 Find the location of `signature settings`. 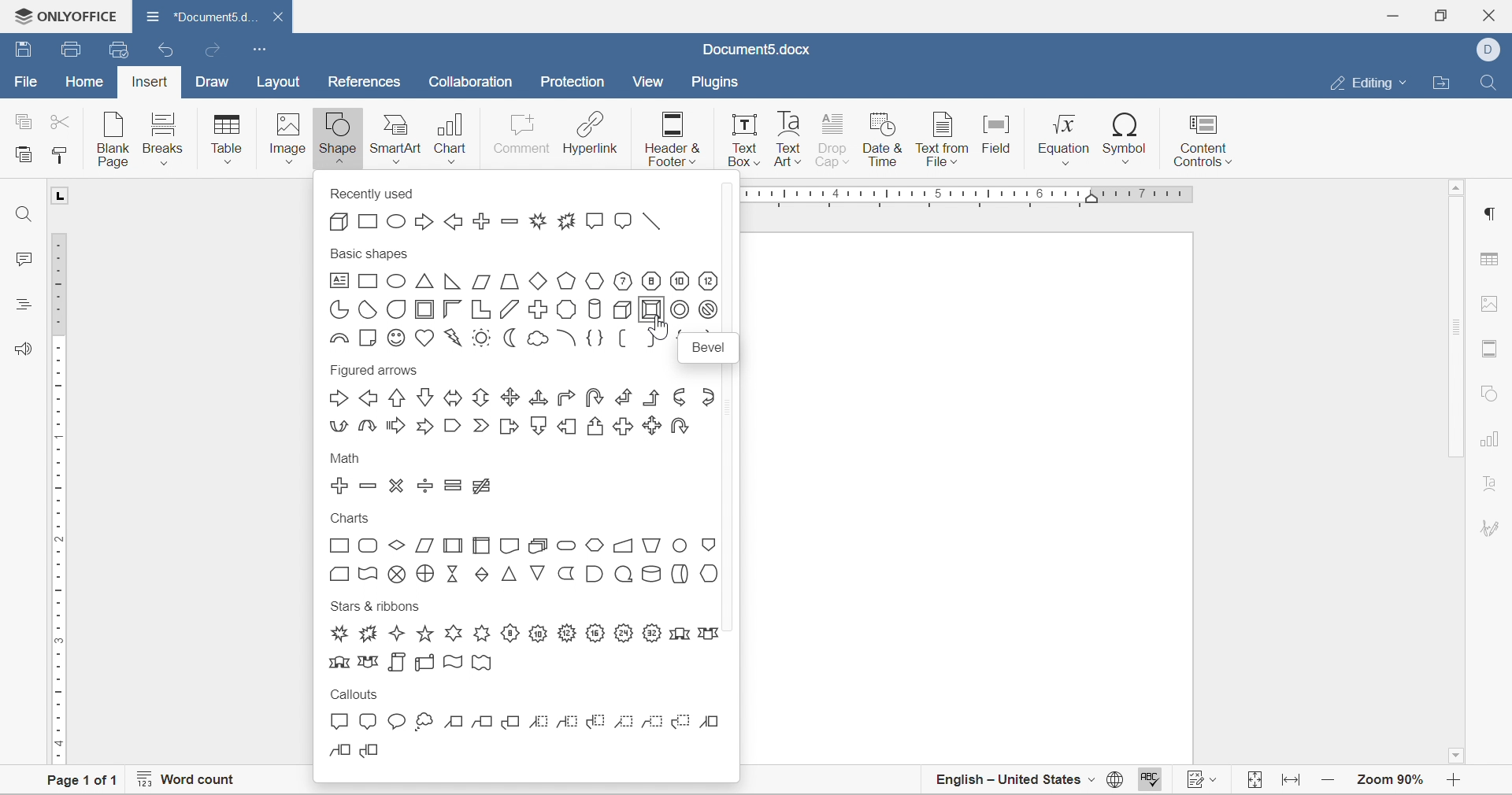

signature settings is located at coordinates (1492, 527).